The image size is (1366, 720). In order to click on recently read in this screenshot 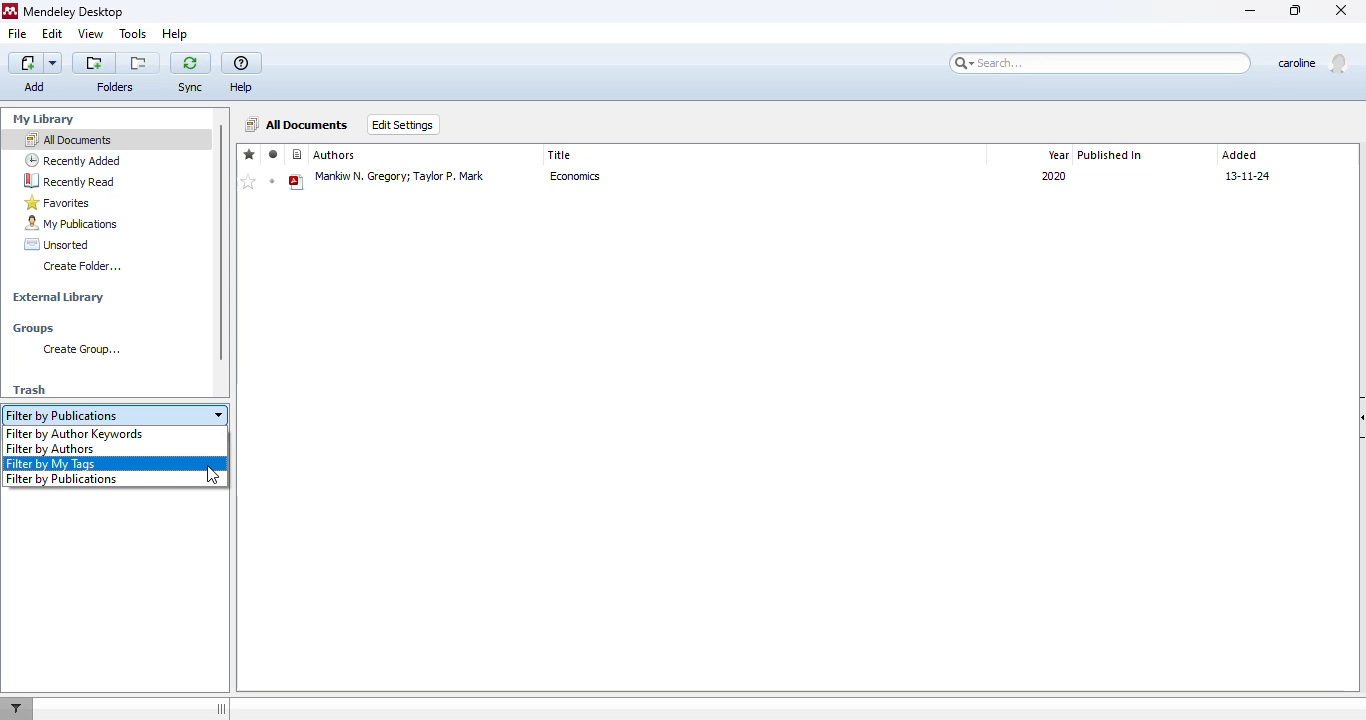, I will do `click(68, 180)`.